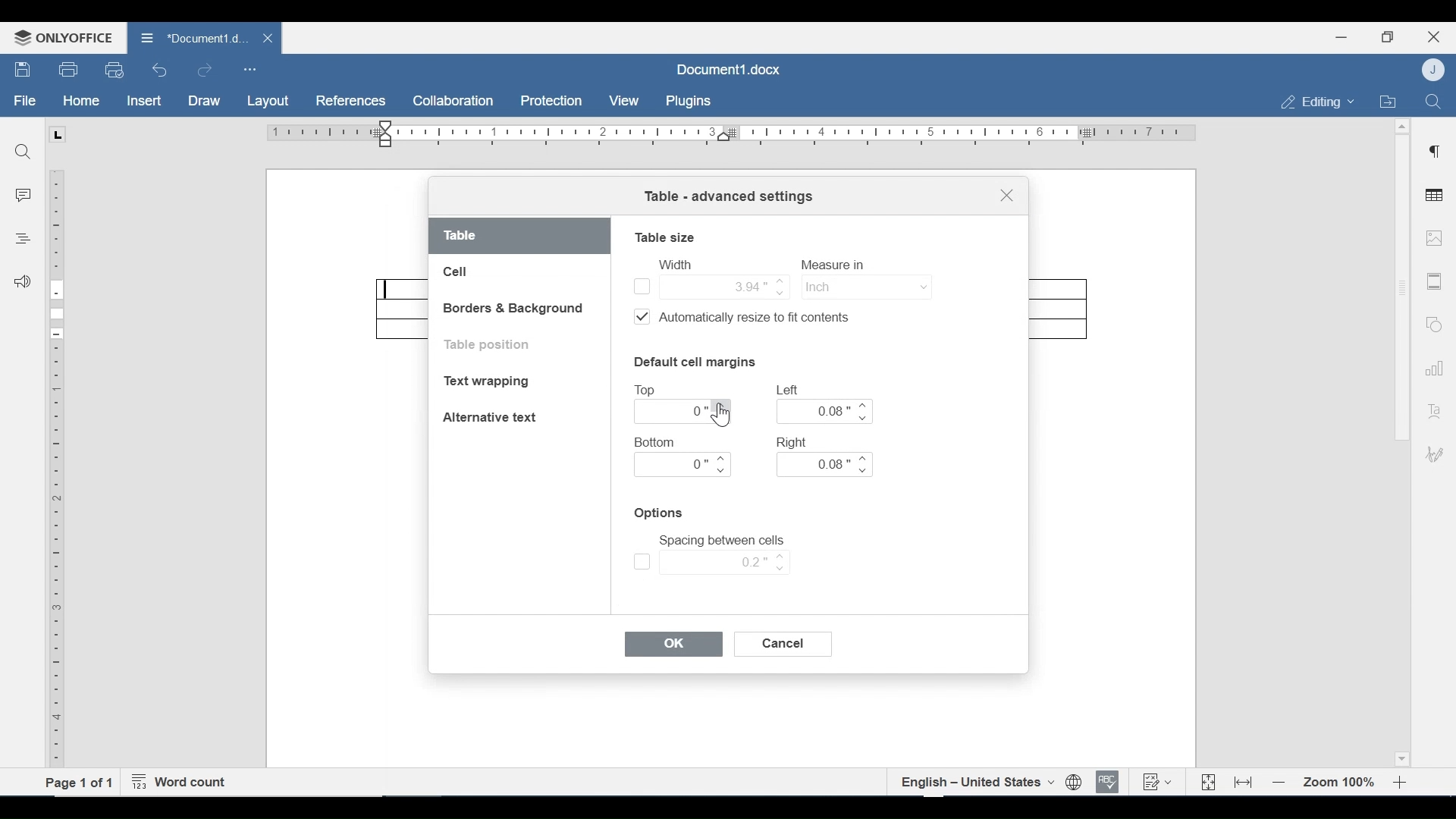 The height and width of the screenshot is (819, 1456). What do you see at coordinates (1434, 35) in the screenshot?
I see `Close` at bounding box center [1434, 35].